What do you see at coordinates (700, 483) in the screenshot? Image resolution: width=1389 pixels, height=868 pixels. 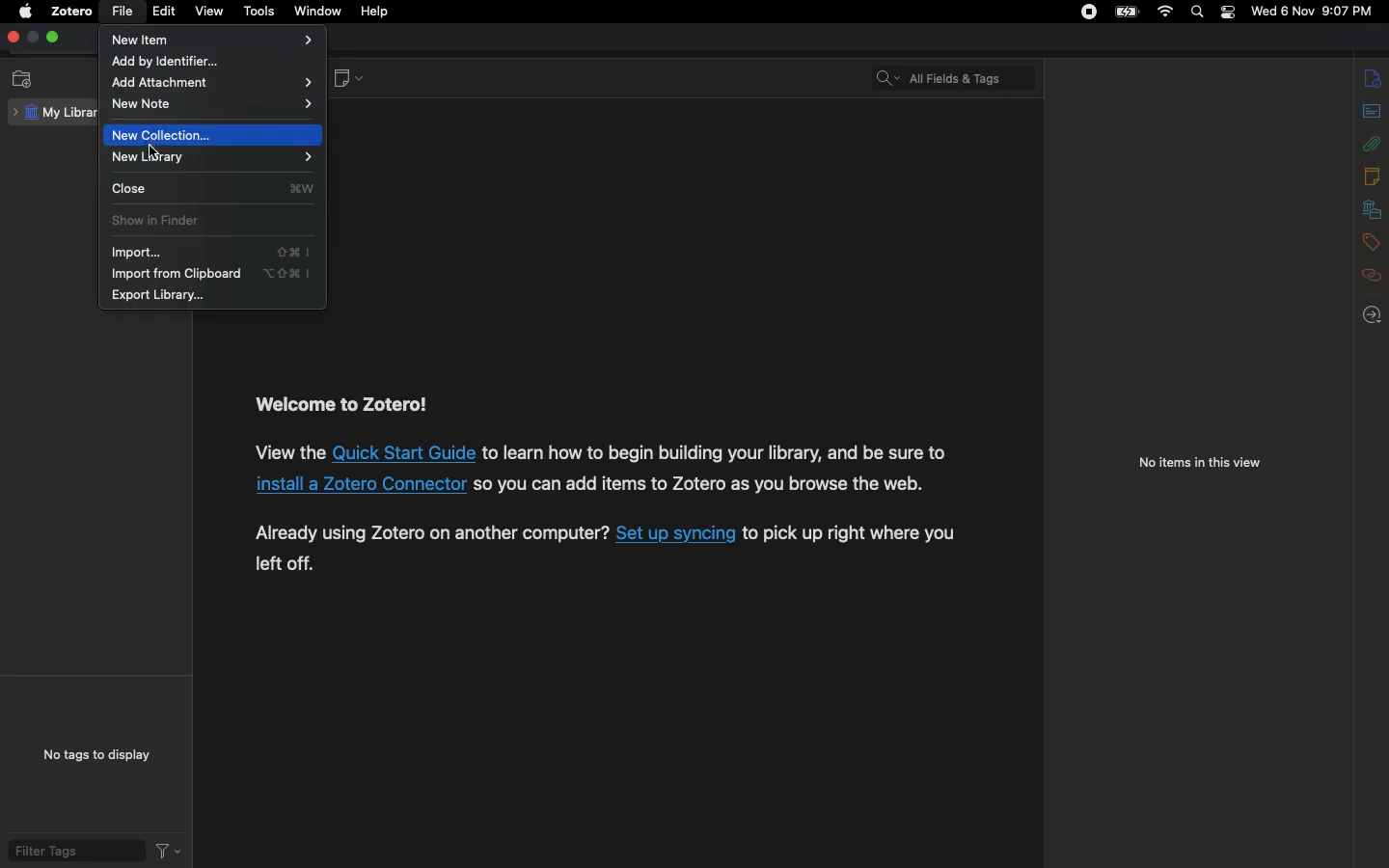 I see `SO you can add items to Zotero as you browse the web.` at bounding box center [700, 483].